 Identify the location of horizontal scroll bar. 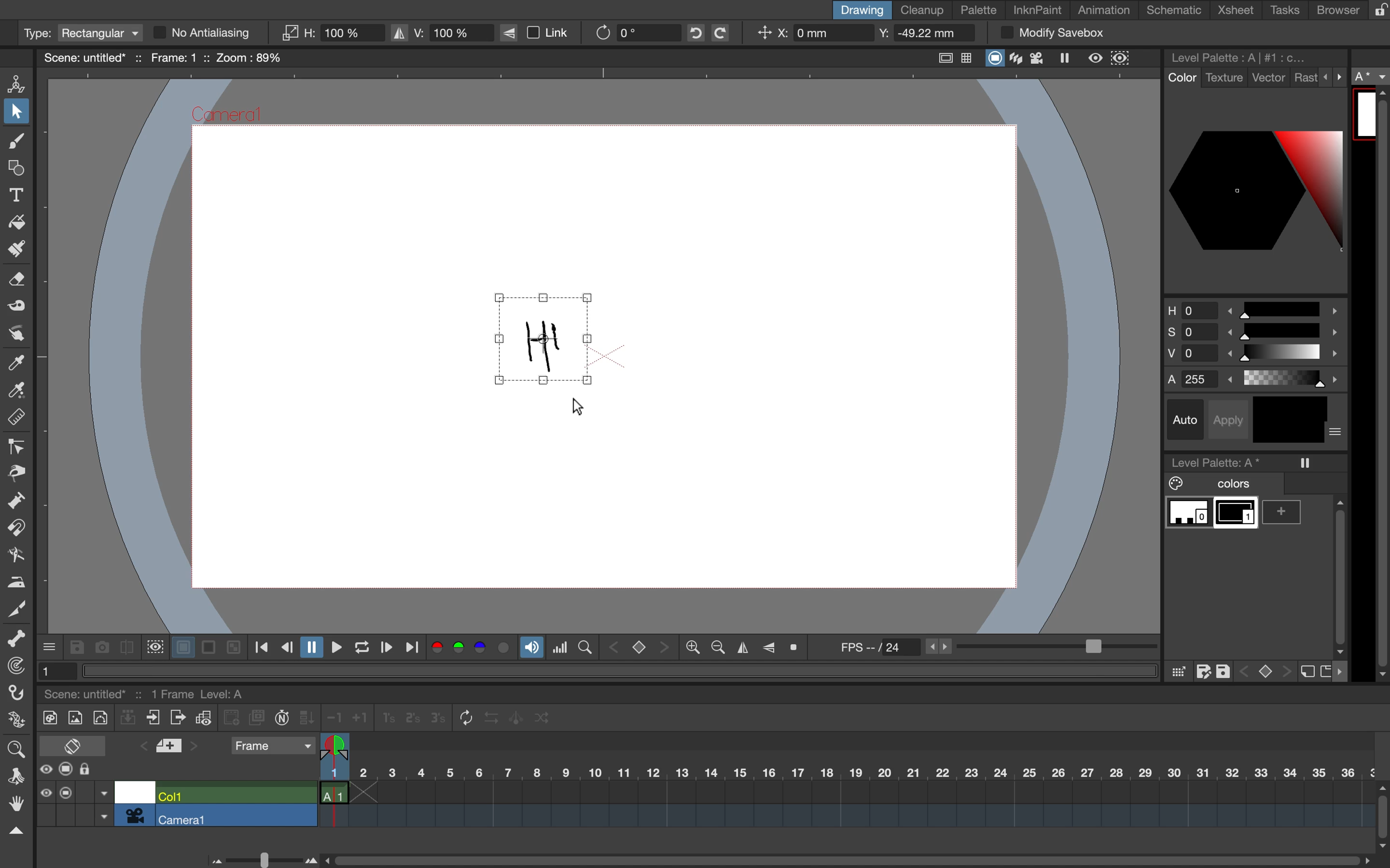
(842, 855).